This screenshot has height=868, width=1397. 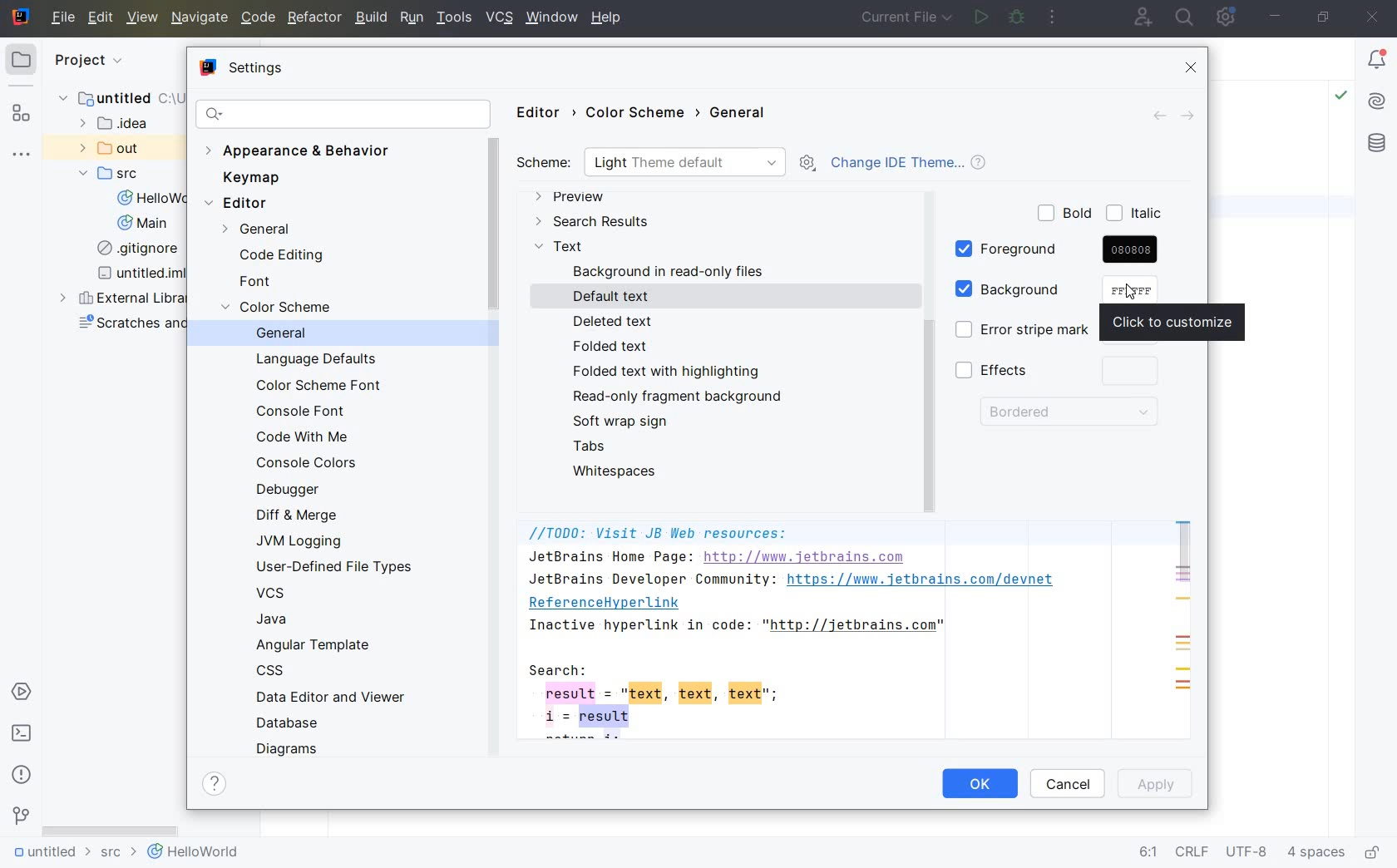 I want to click on SHOW HELP CONTENTS, so click(x=217, y=786).